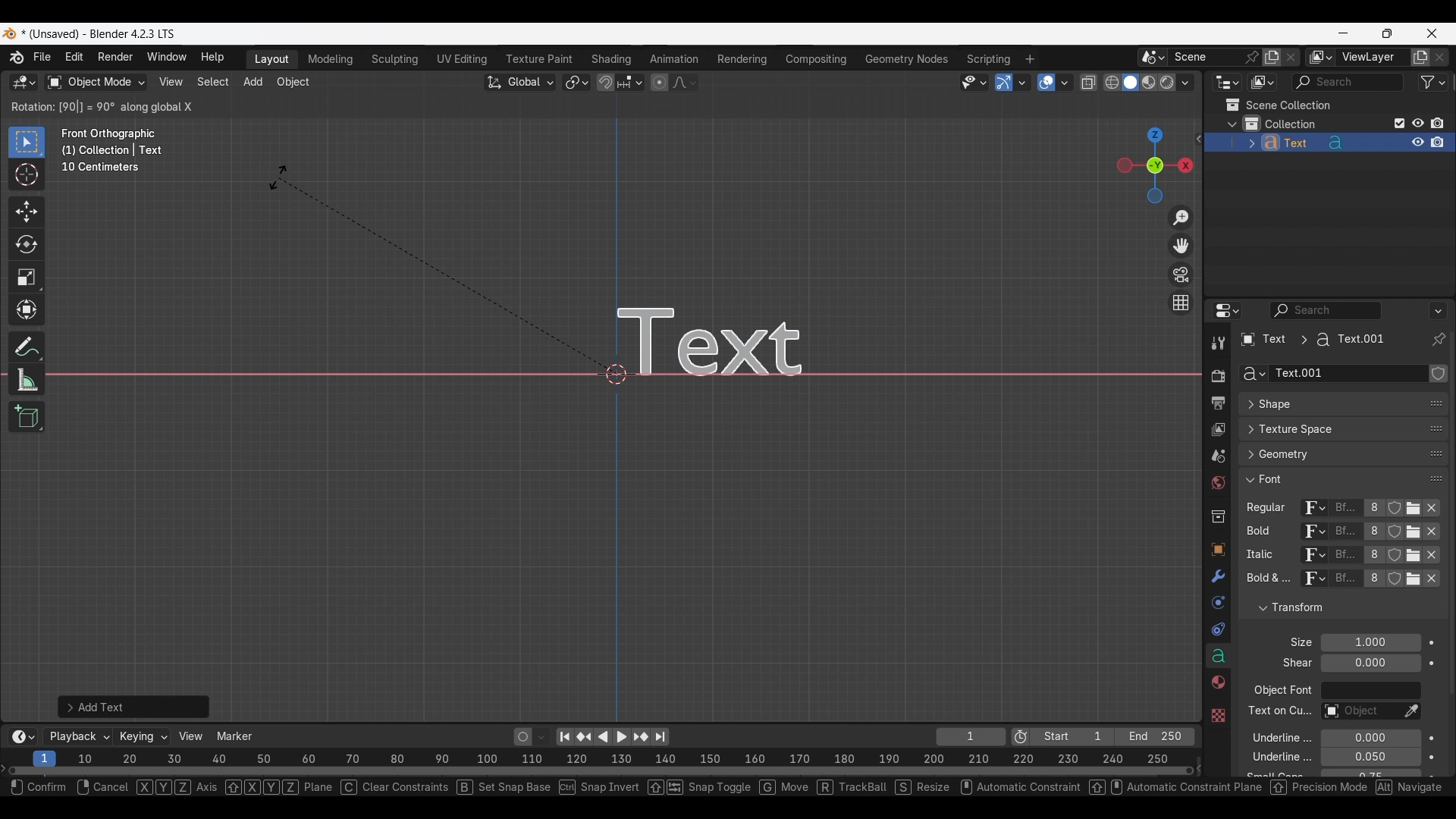 The width and height of the screenshot is (1456, 819). I want to click on Options for the properties editor, so click(1439, 310).